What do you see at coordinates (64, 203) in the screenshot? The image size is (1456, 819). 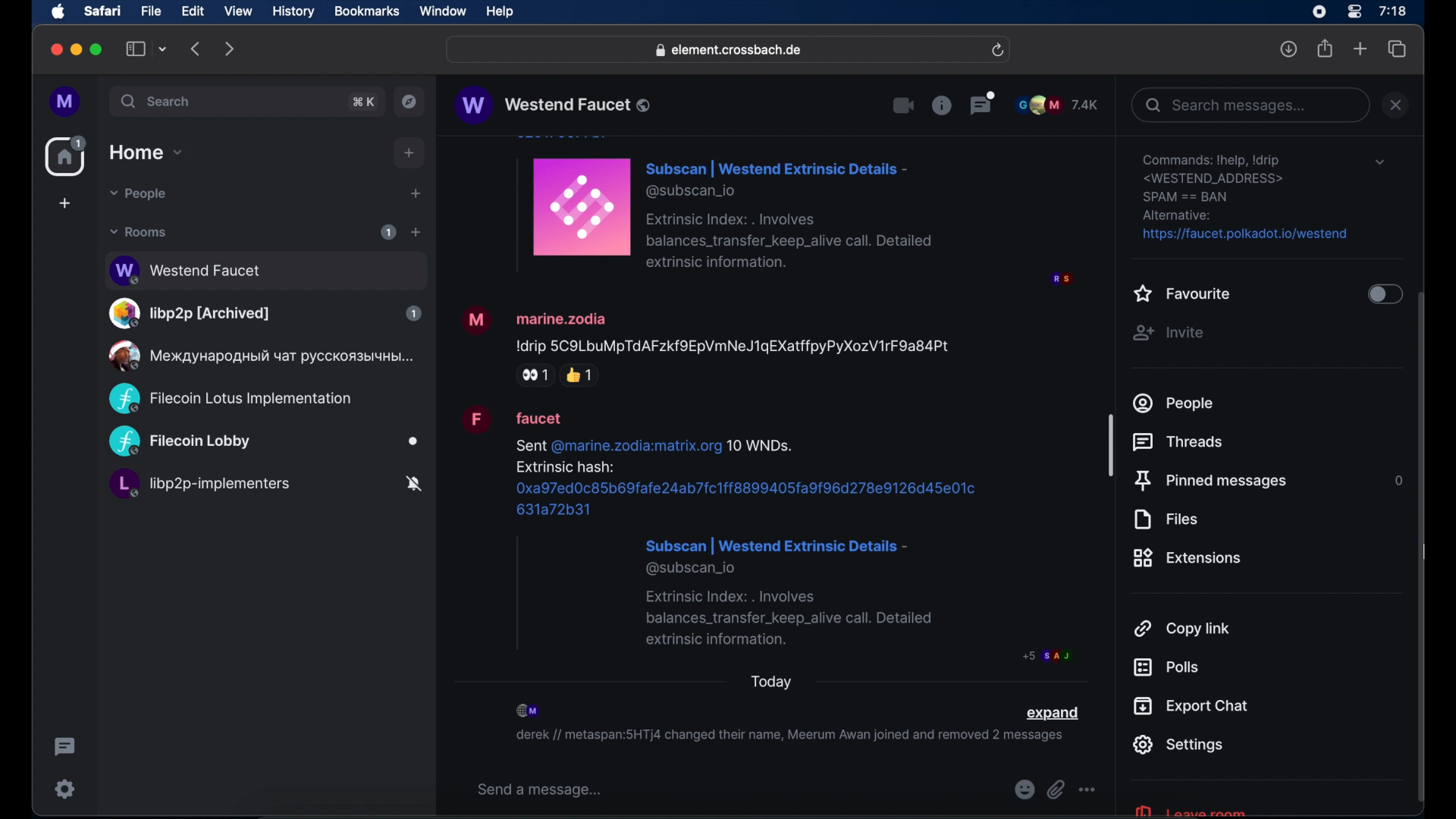 I see `create space` at bounding box center [64, 203].